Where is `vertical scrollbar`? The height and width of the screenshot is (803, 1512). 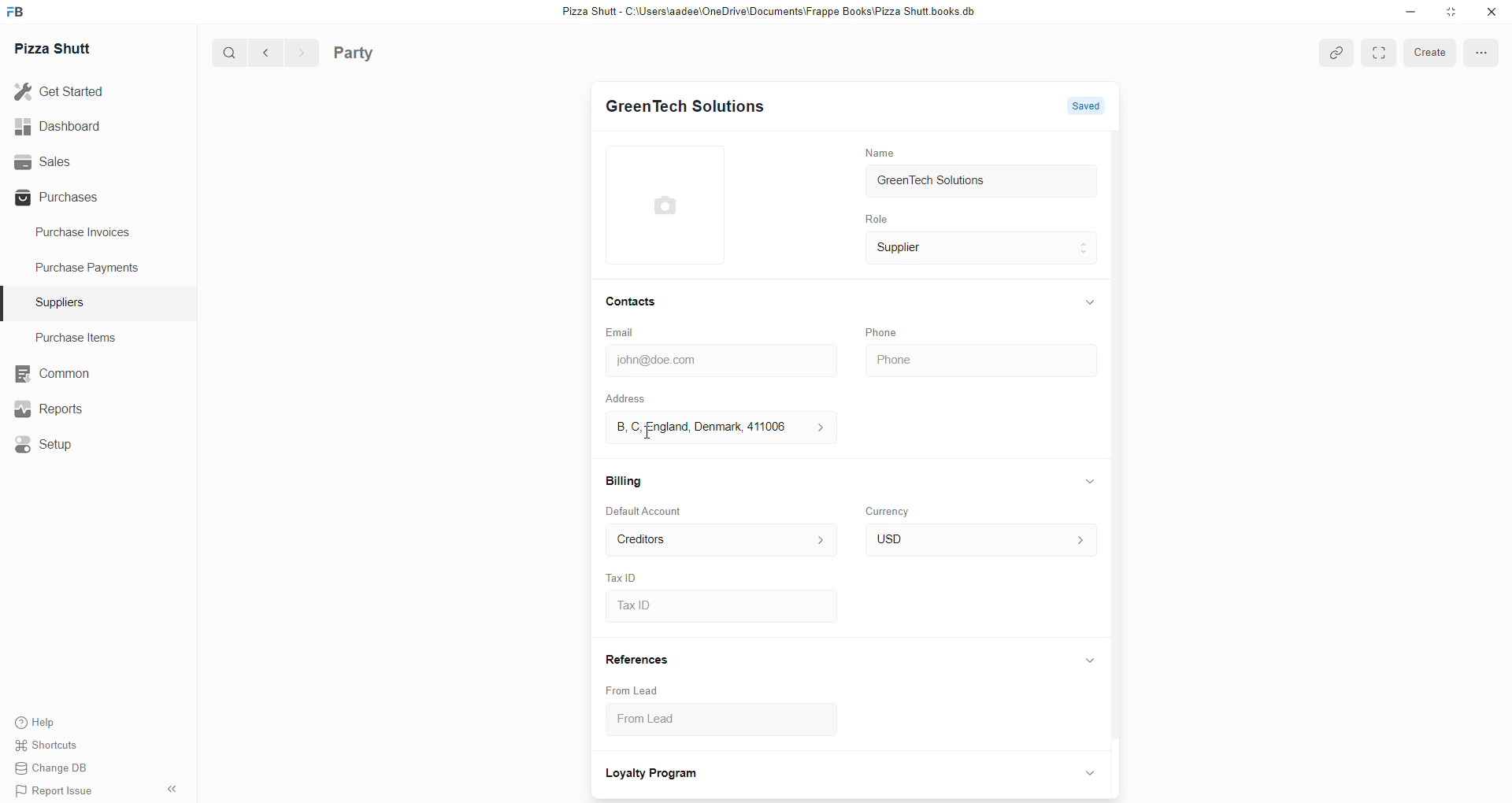
vertical scrollbar is located at coordinates (1121, 439).